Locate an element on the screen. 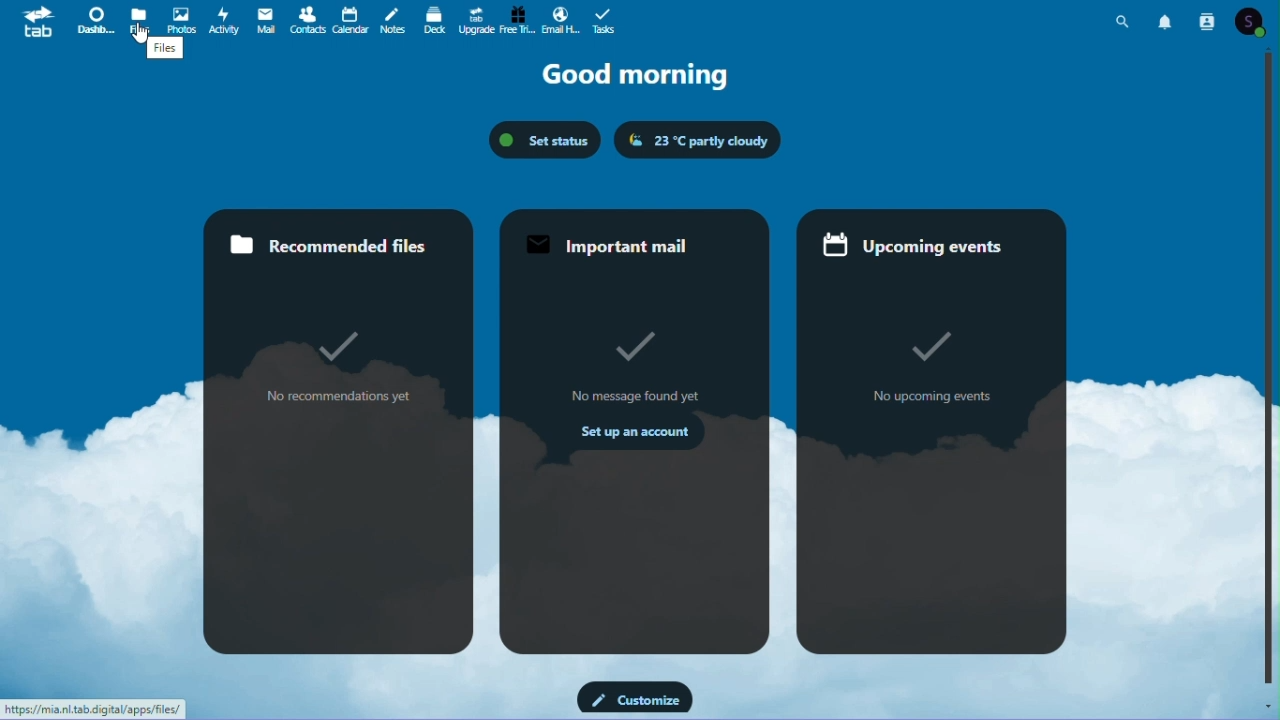  Files is located at coordinates (141, 19).